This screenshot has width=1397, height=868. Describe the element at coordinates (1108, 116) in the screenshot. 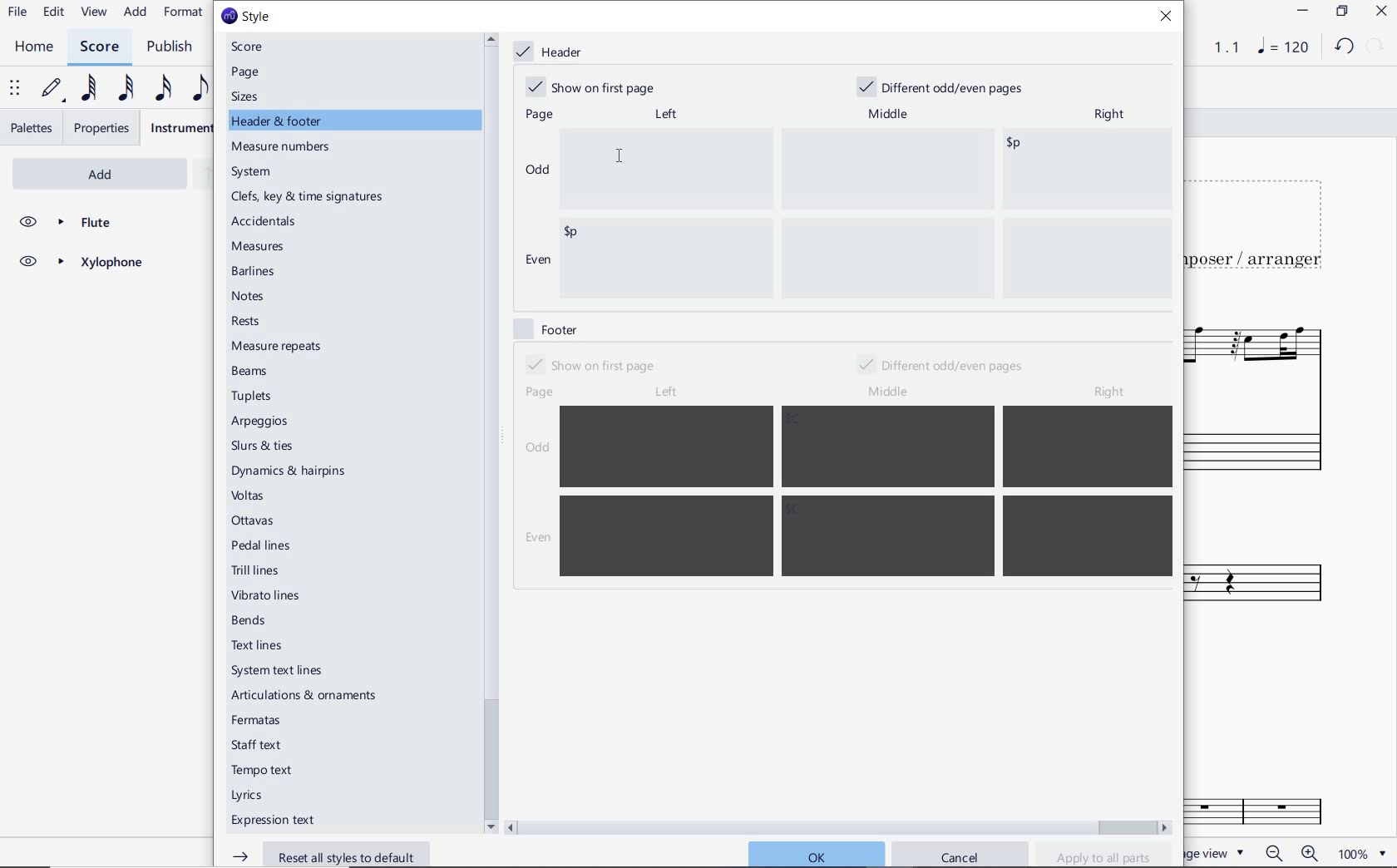

I see `right` at that location.